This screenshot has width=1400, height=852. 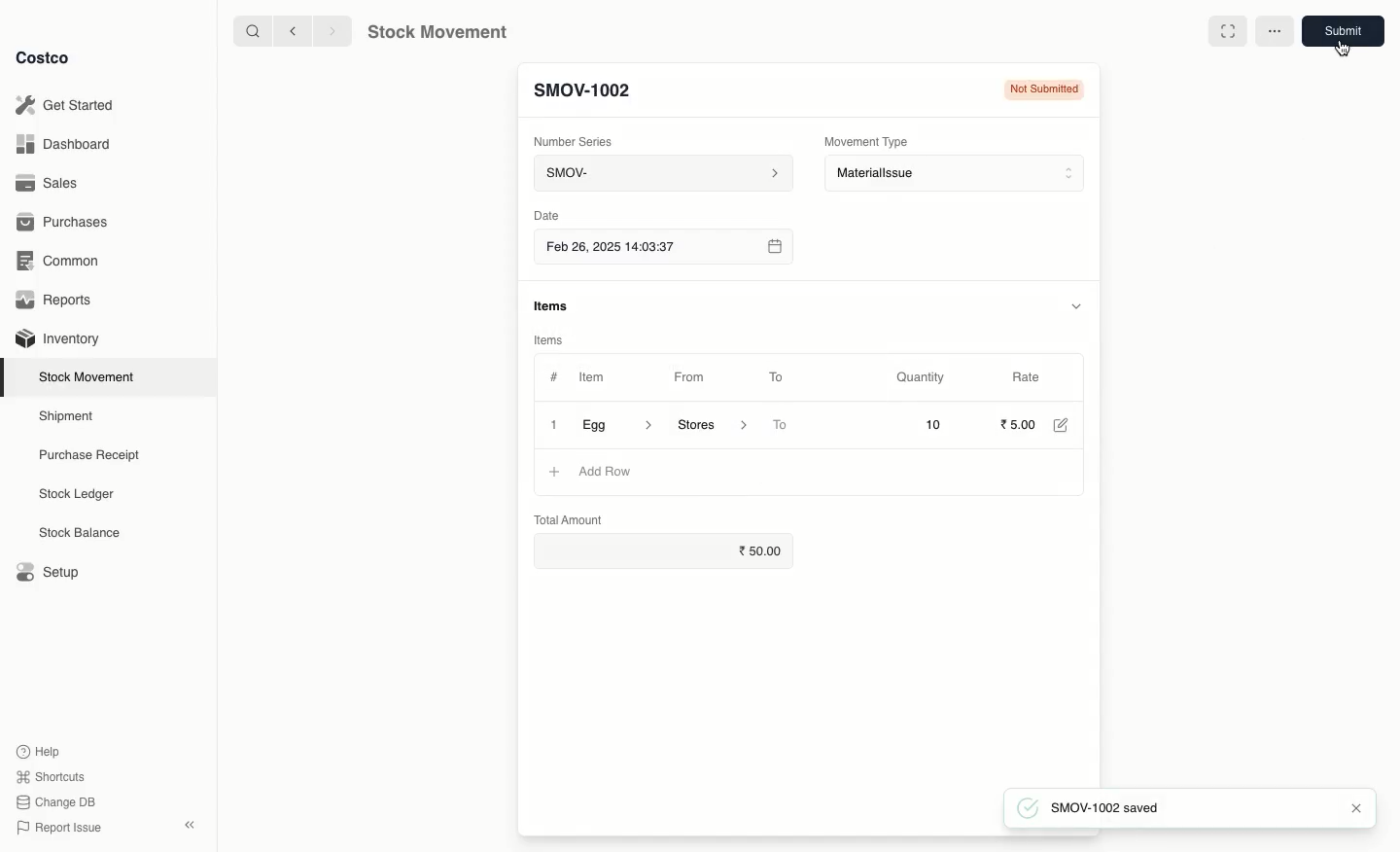 I want to click on Item, so click(x=602, y=376).